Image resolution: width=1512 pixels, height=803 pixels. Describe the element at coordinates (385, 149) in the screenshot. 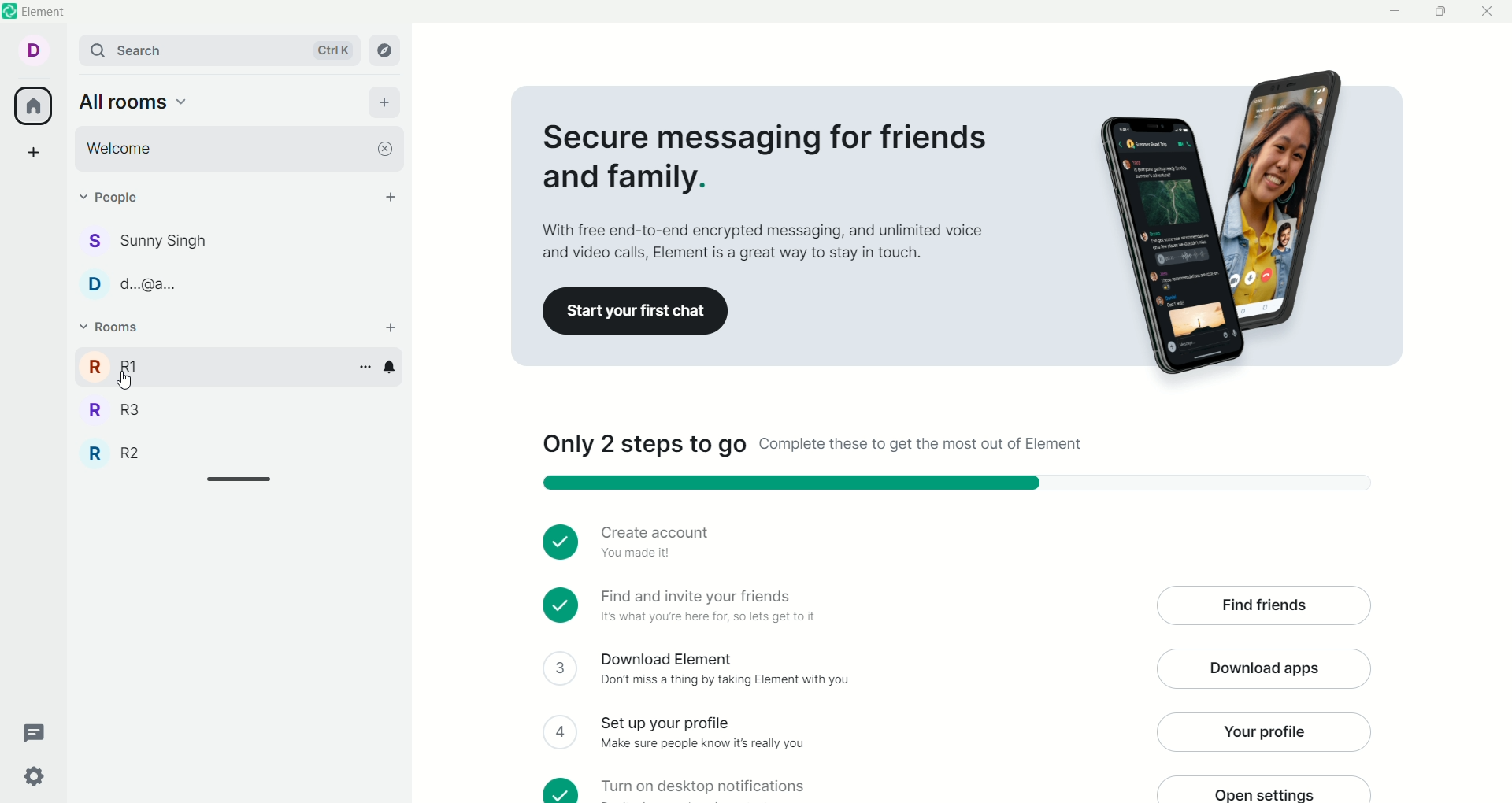

I see `close` at that location.